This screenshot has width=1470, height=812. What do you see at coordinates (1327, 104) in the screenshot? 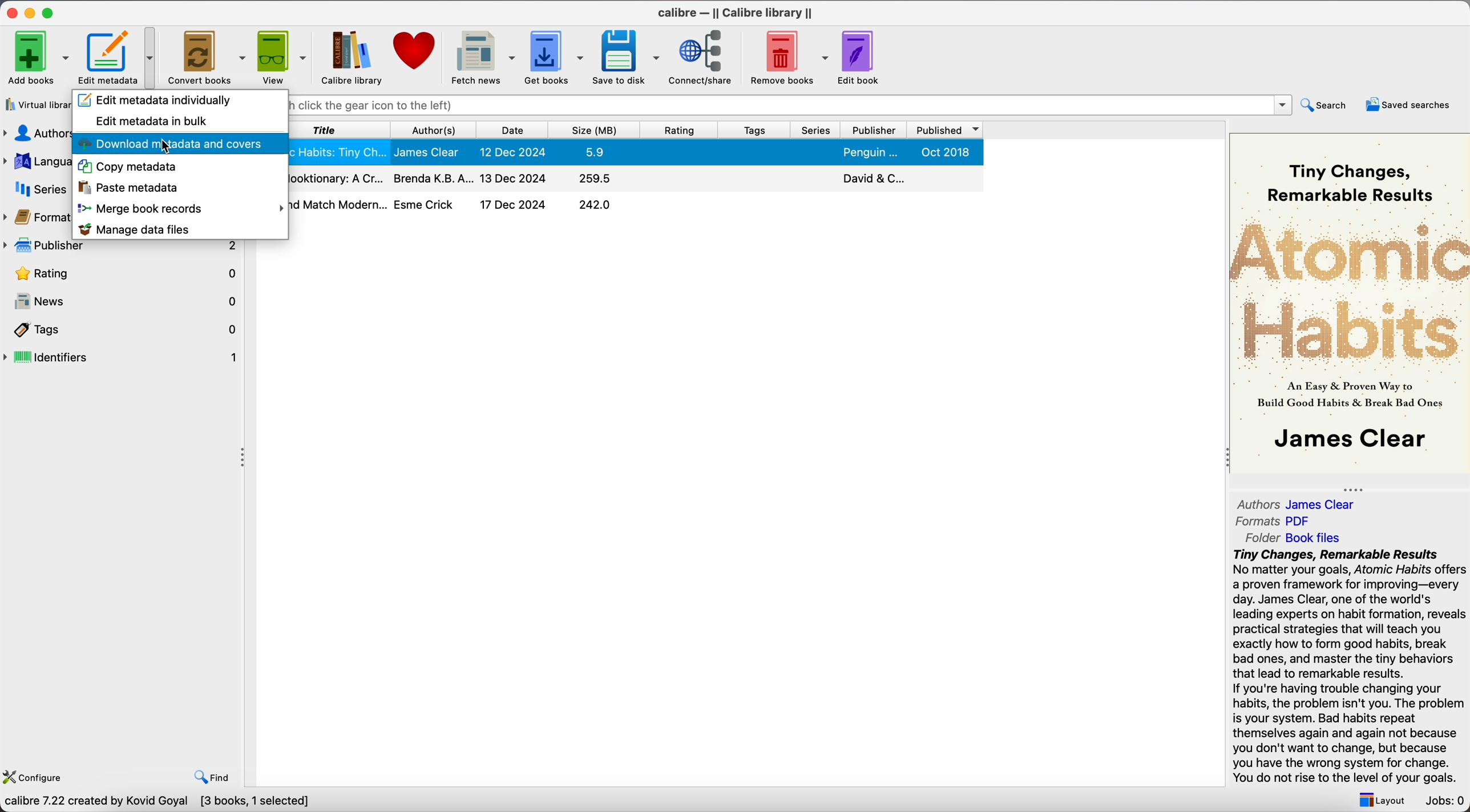
I see `search` at bounding box center [1327, 104].